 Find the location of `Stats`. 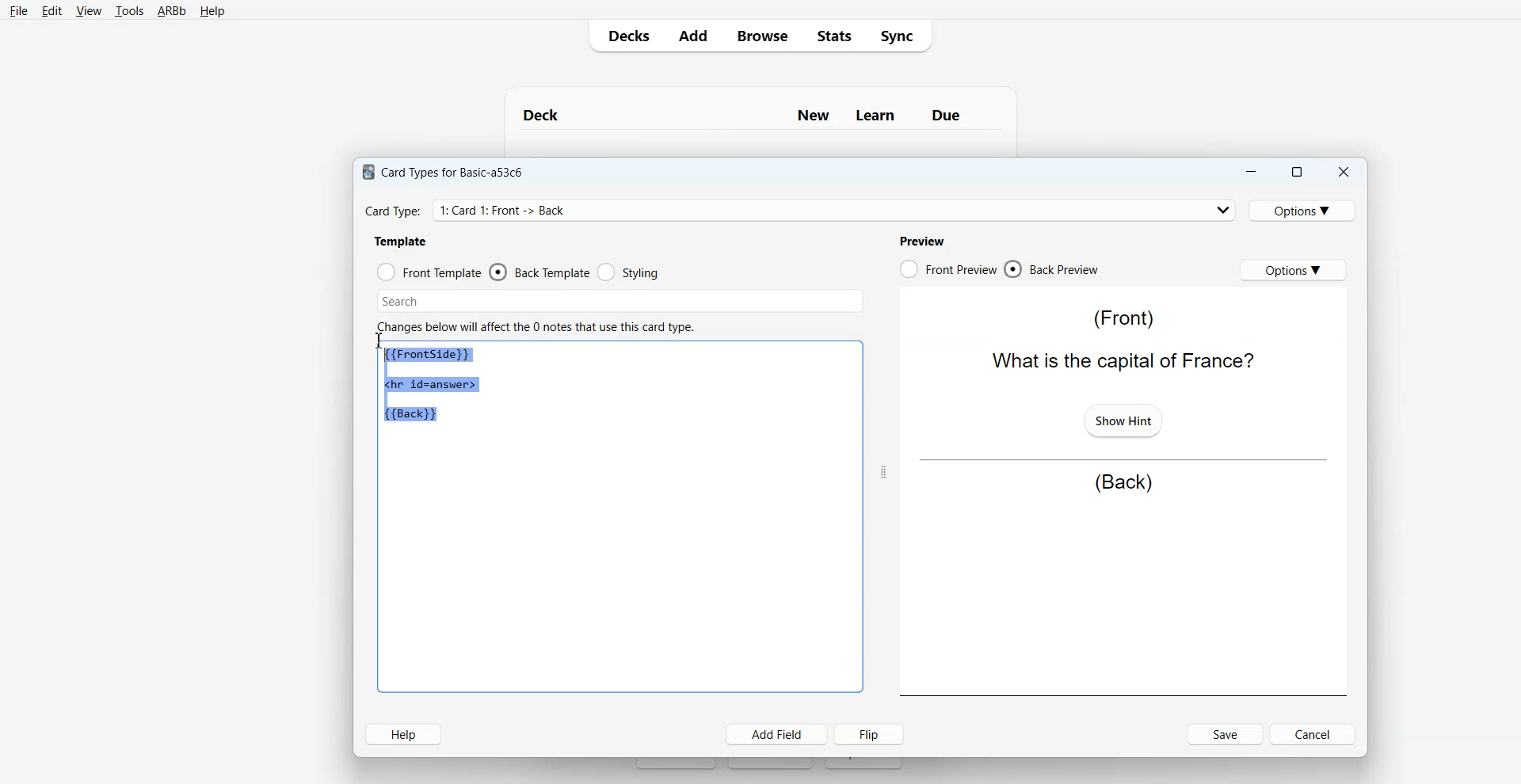

Stats is located at coordinates (833, 35).